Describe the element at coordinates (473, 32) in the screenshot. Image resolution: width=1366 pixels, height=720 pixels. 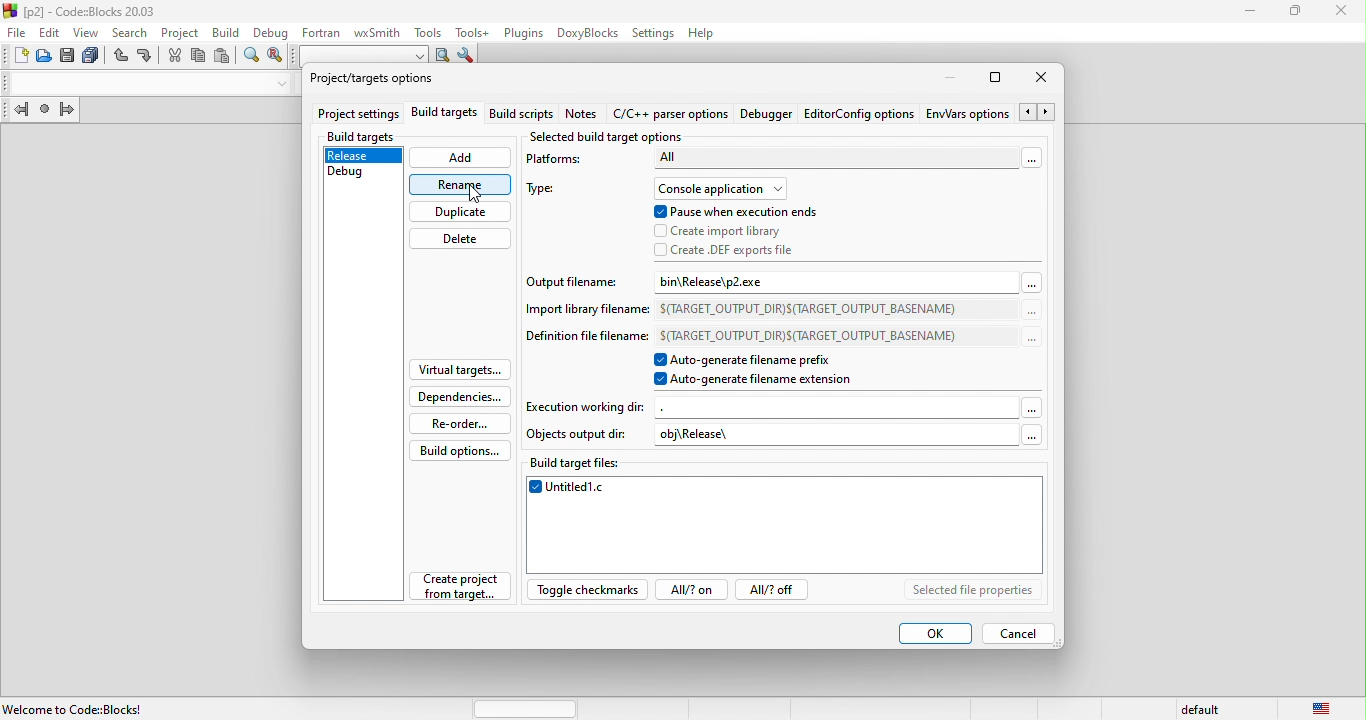
I see `tools++` at that location.